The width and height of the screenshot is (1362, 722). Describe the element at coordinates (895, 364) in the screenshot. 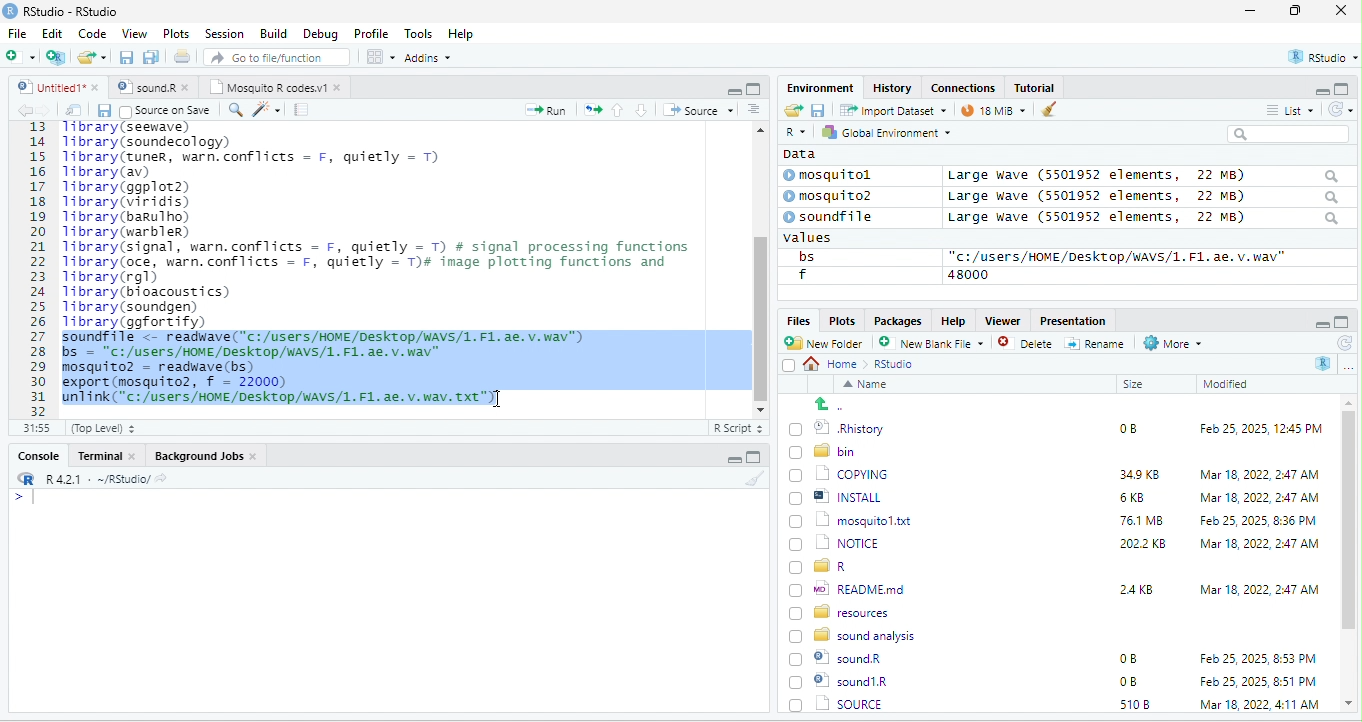

I see `Rstudio` at that location.